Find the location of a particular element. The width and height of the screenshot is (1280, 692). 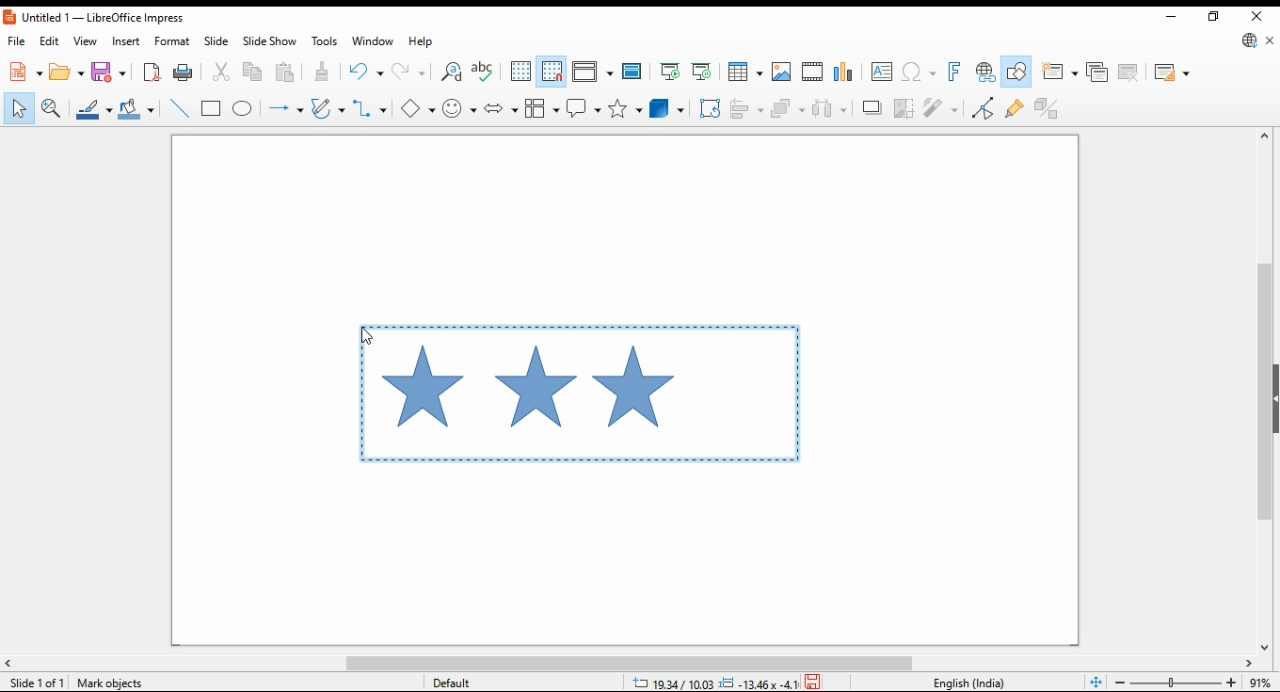

open is located at coordinates (67, 71).